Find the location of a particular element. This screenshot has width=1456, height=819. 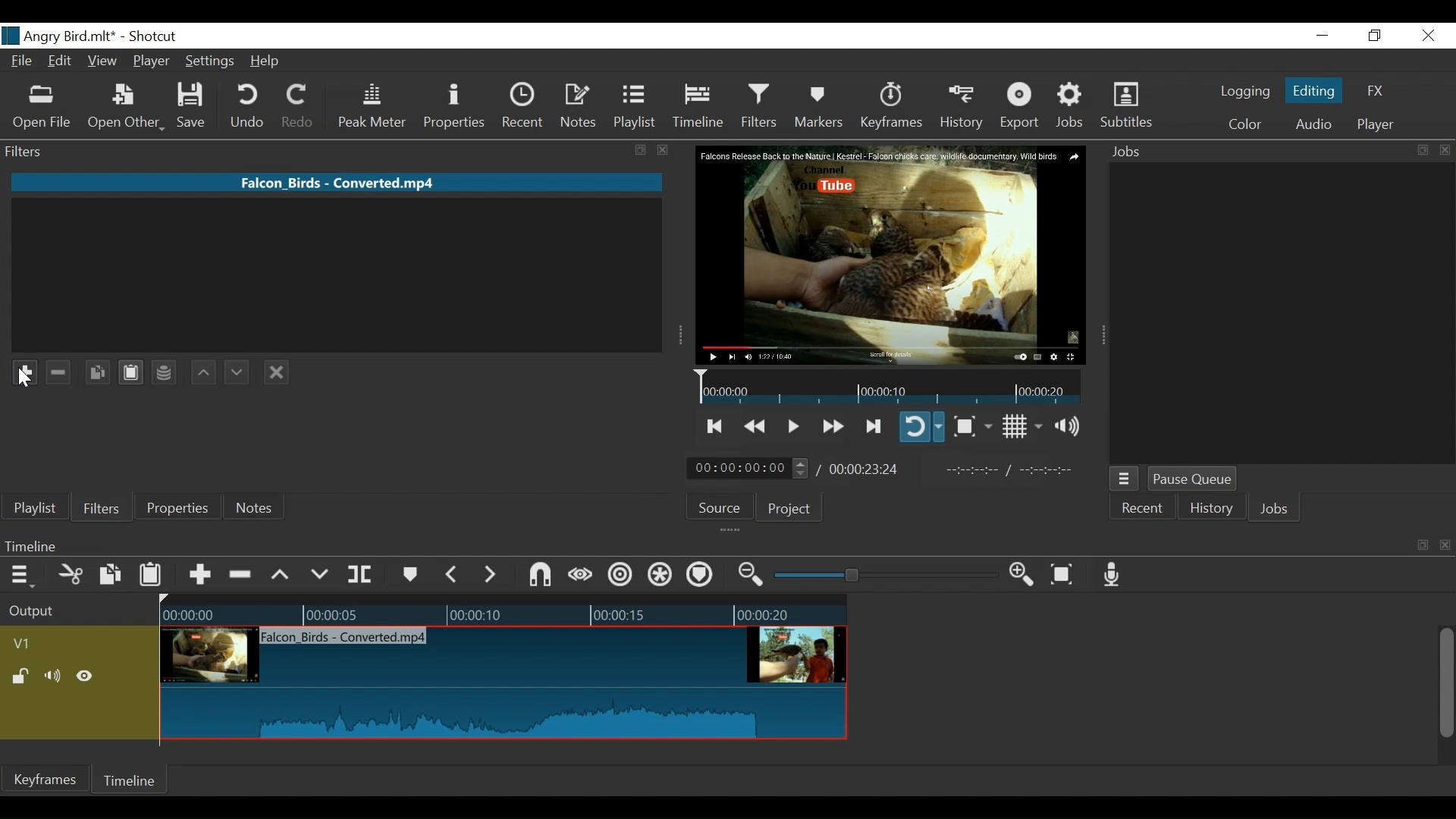

Zoom slider is located at coordinates (889, 575).